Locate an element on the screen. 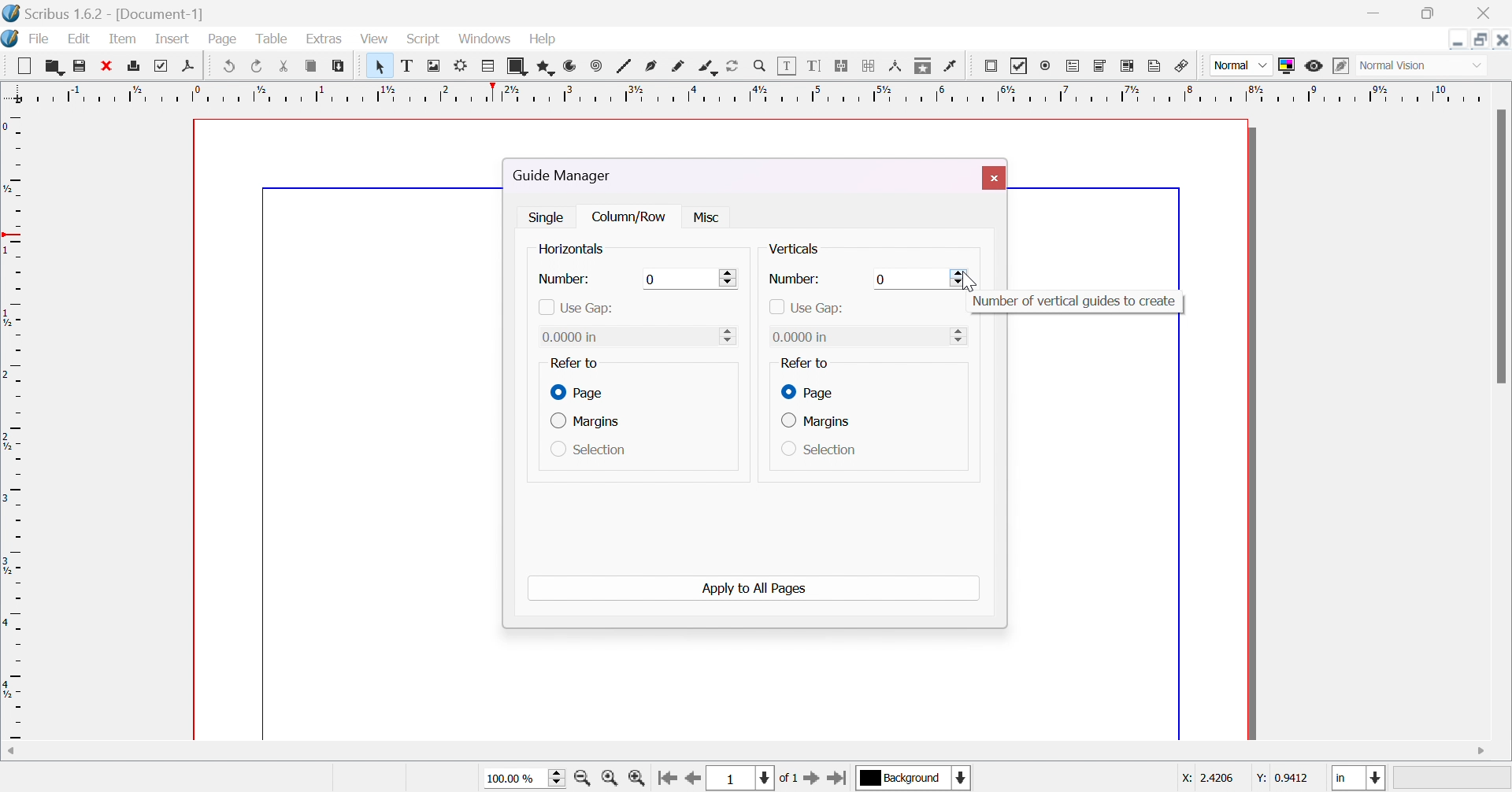 The width and height of the screenshot is (1512, 792). use gap is located at coordinates (808, 309).